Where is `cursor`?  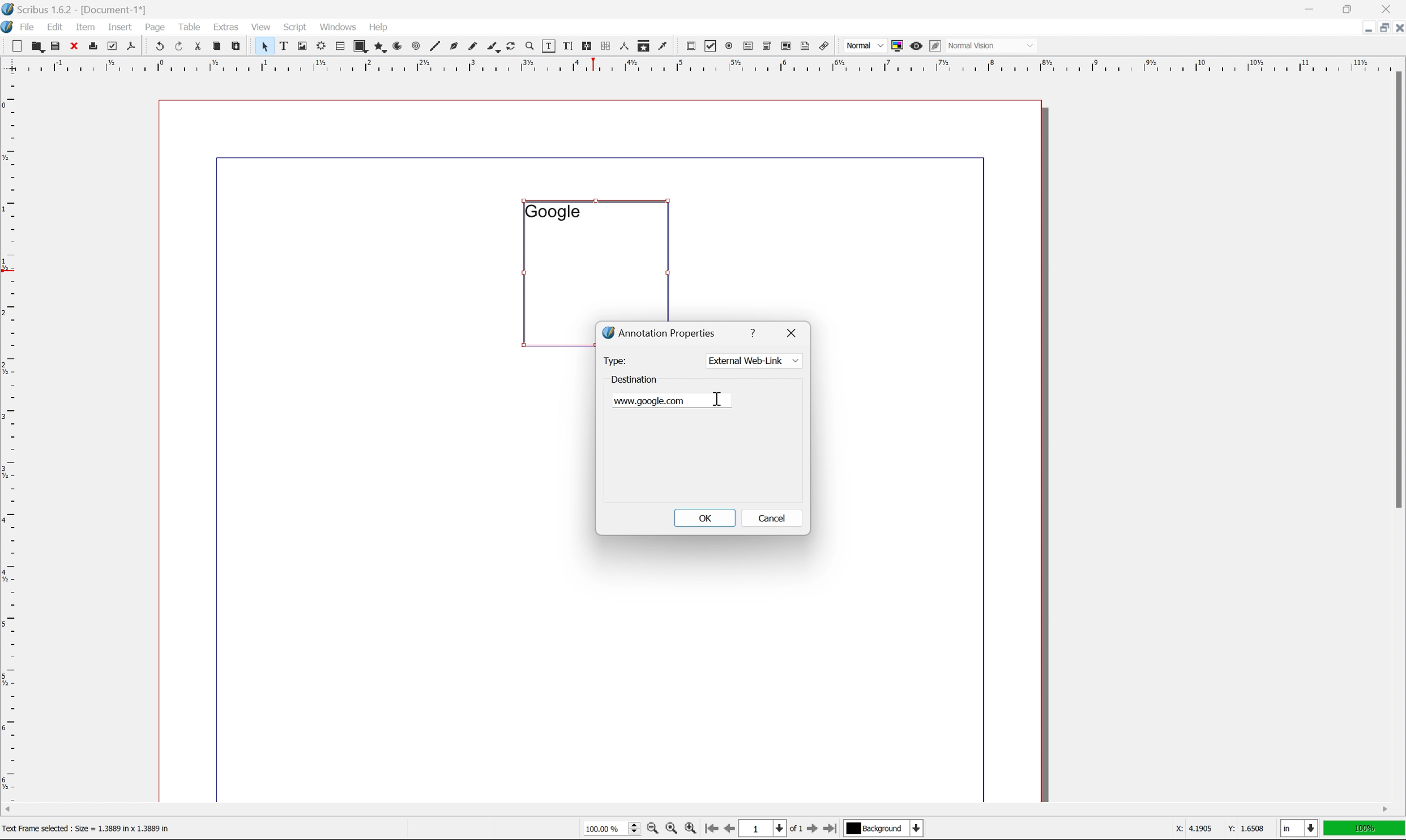
cursor is located at coordinates (719, 398).